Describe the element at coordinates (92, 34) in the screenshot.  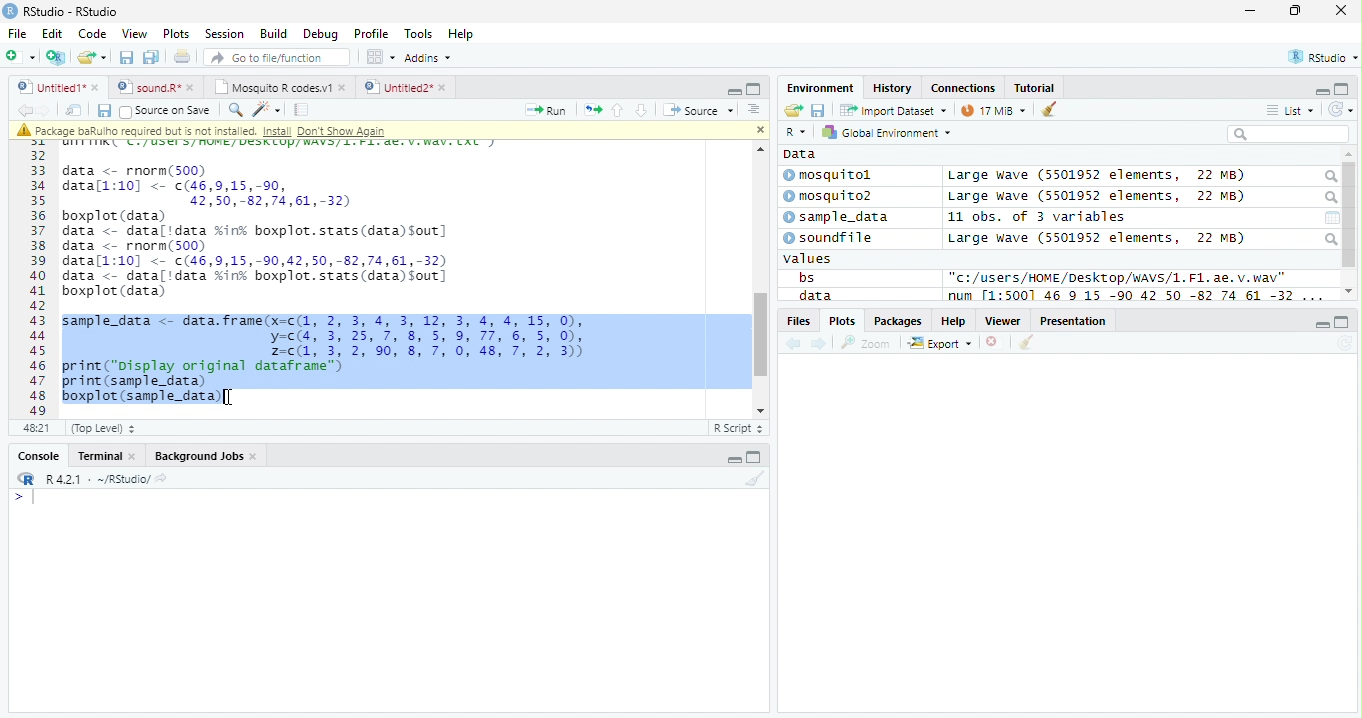
I see `Code` at that location.